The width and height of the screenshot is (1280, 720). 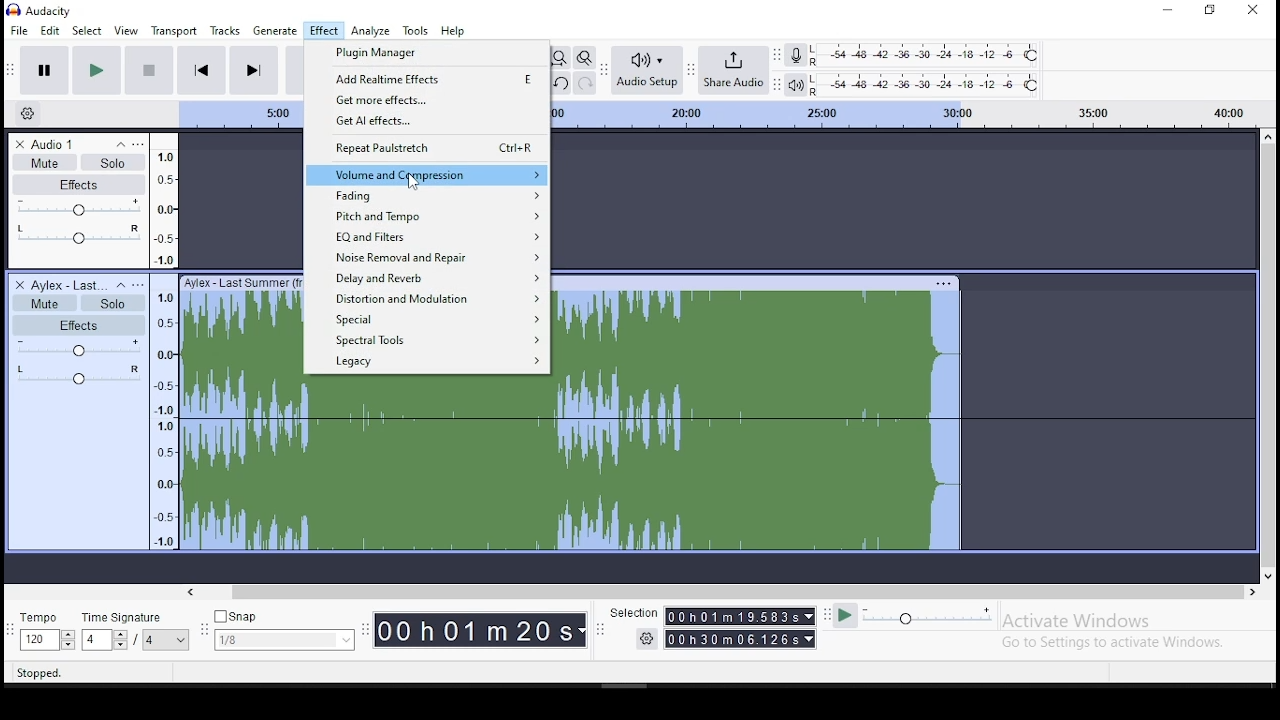 I want to click on fit to project to width, so click(x=559, y=57).